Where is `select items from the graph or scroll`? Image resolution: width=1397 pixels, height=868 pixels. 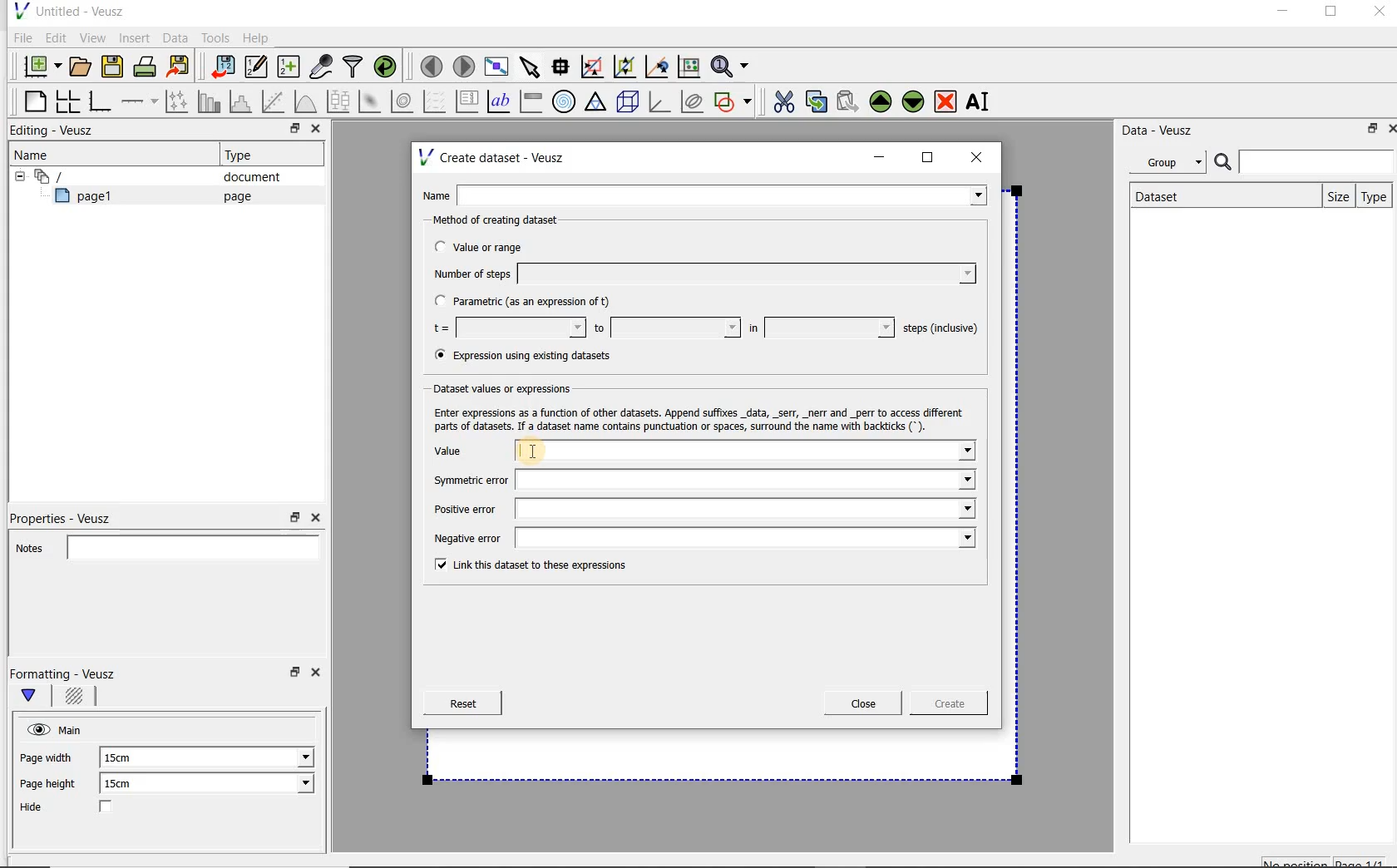
select items from the graph or scroll is located at coordinates (529, 65).